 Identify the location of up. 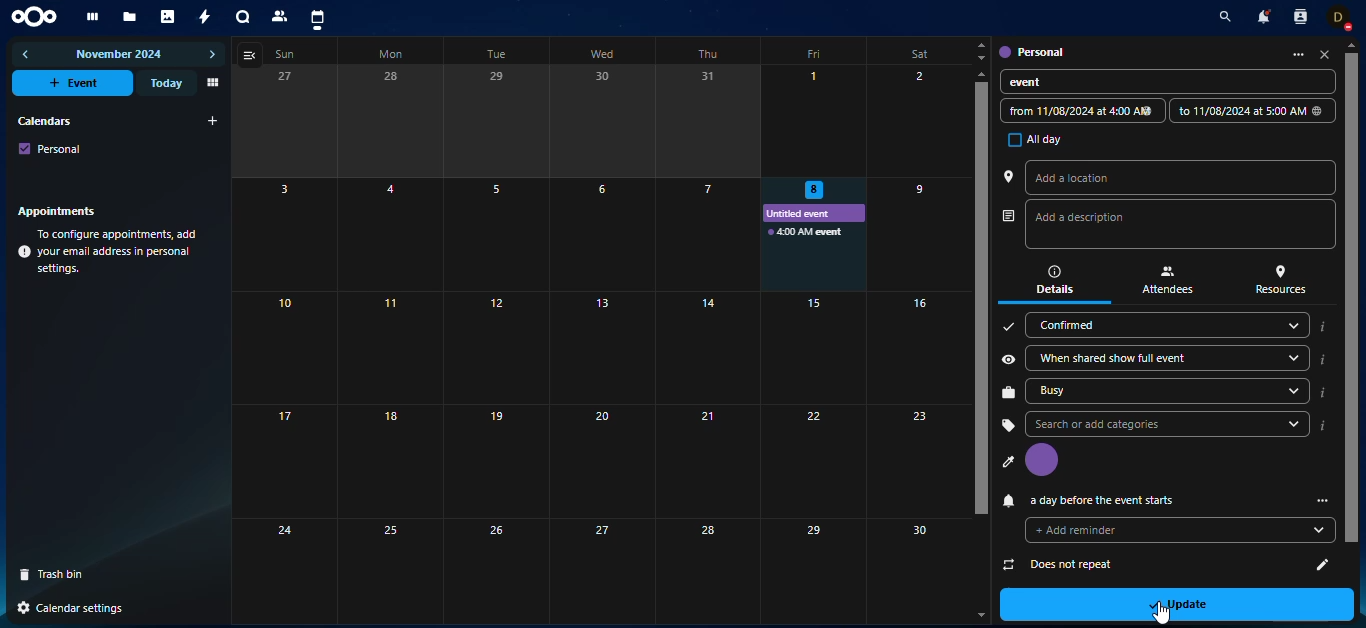
(983, 73).